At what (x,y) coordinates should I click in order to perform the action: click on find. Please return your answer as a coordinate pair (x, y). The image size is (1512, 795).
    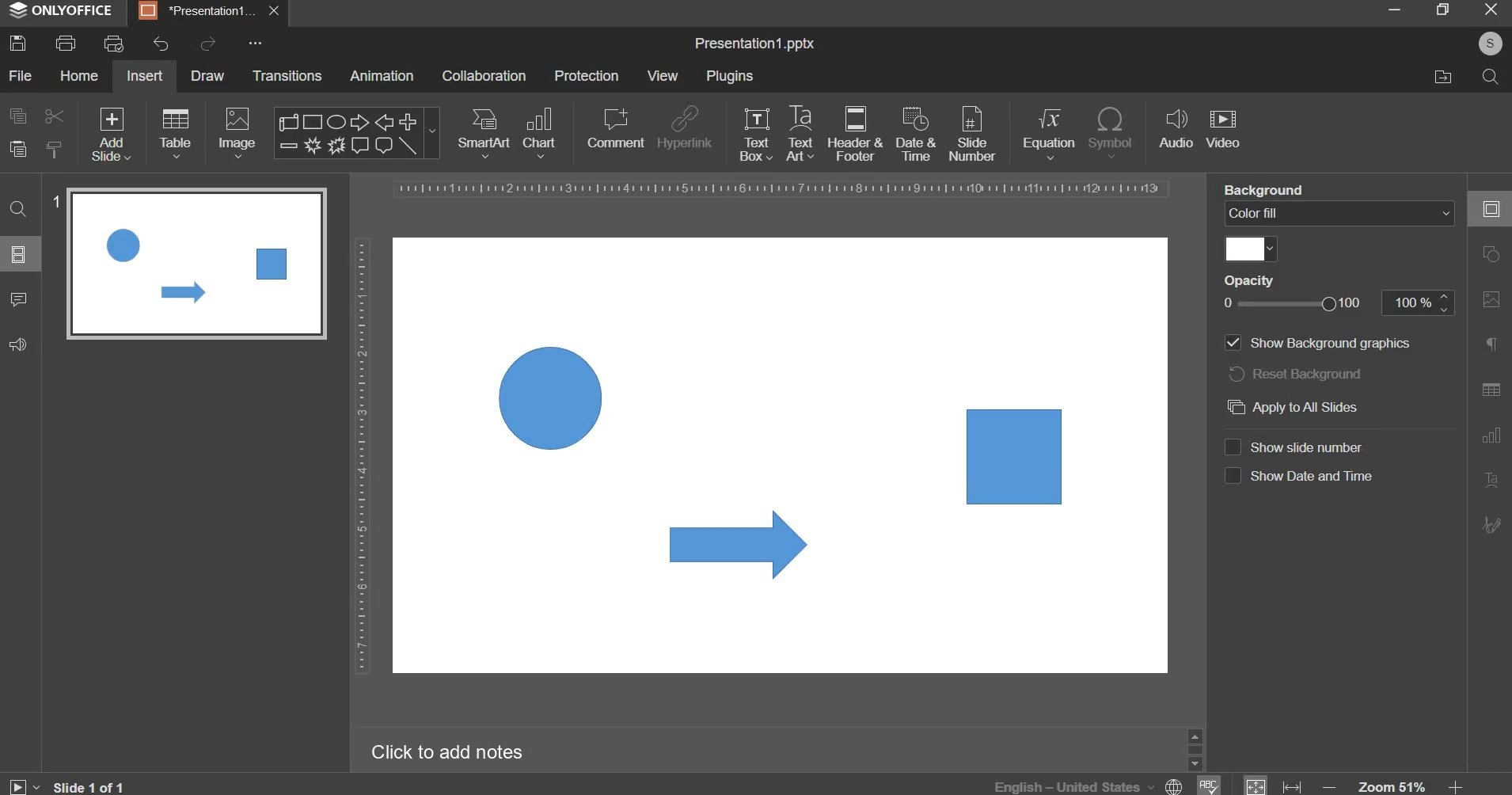
    Looking at the image, I should click on (20, 207).